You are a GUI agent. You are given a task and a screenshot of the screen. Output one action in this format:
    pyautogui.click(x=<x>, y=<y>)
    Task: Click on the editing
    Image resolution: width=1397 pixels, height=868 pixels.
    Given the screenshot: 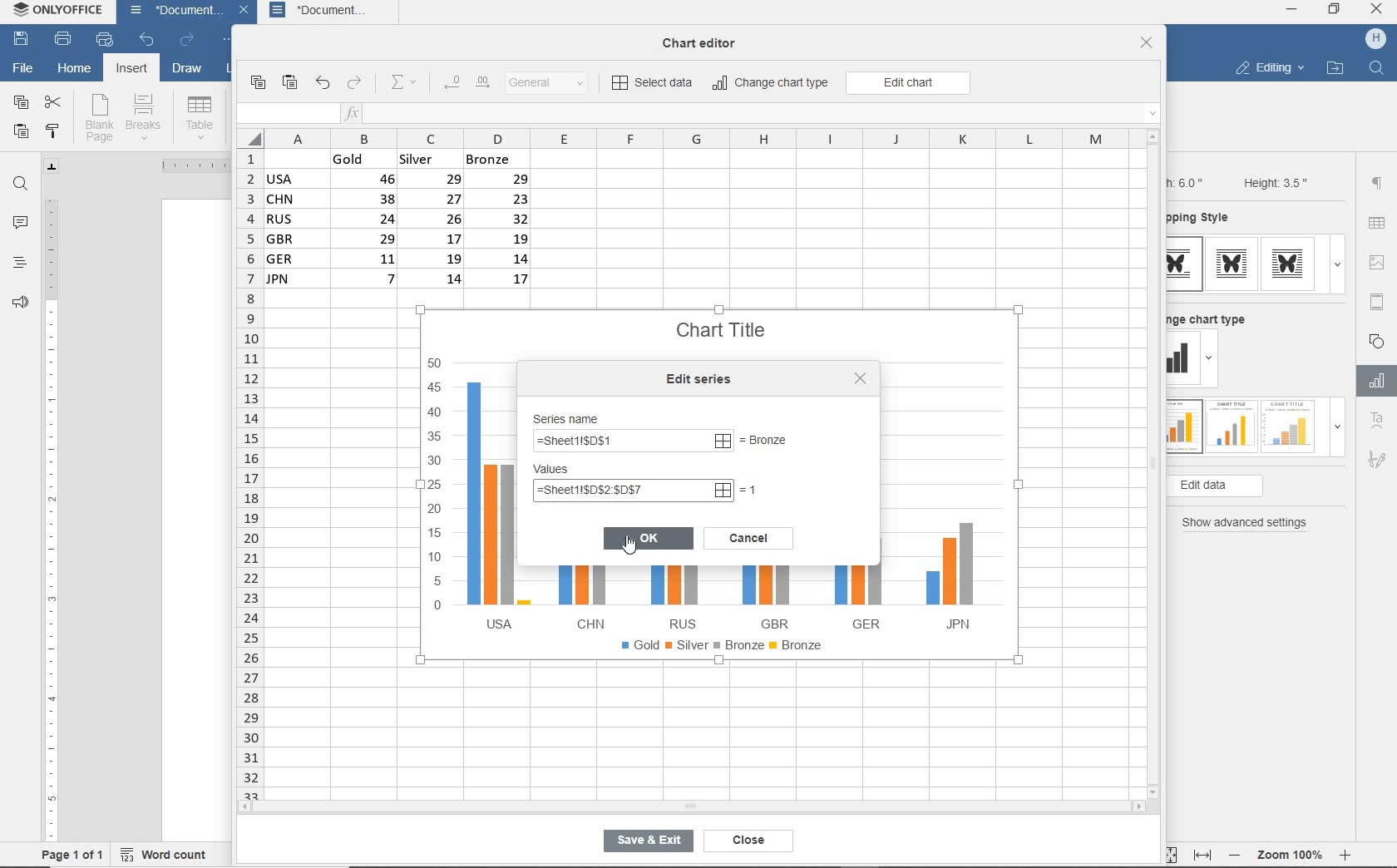 What is the action you would take?
    pyautogui.click(x=1269, y=70)
    